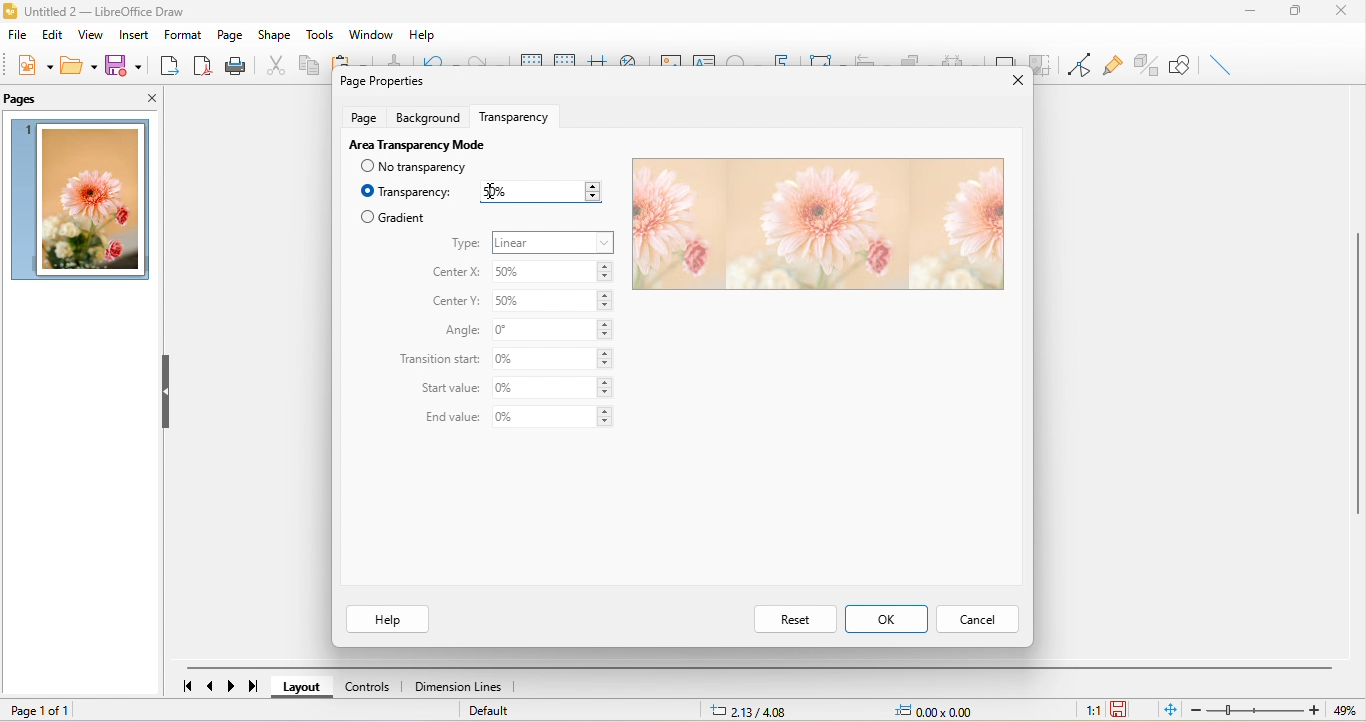  I want to click on vertical scroll bar, so click(1357, 371).